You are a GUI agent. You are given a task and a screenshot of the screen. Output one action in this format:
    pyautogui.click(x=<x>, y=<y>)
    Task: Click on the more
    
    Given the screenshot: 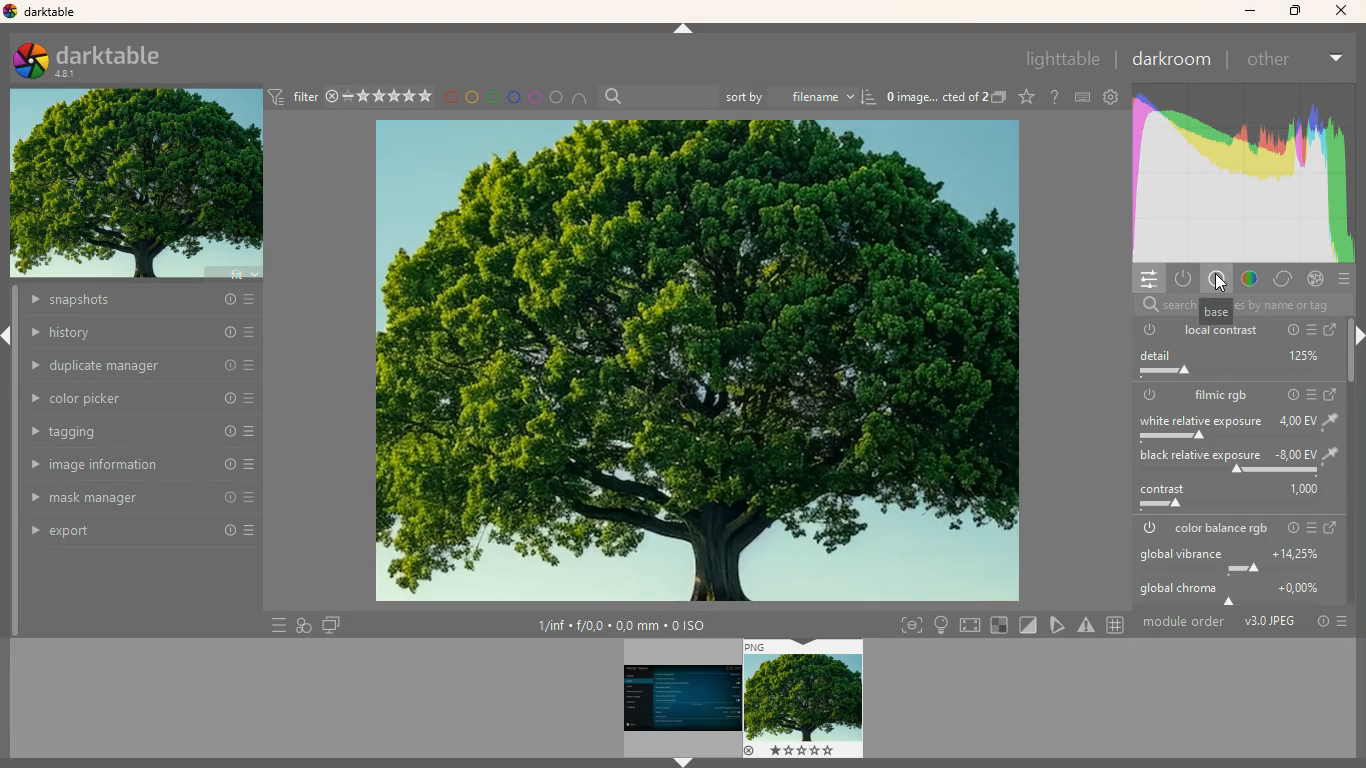 What is the action you would take?
    pyautogui.click(x=273, y=624)
    